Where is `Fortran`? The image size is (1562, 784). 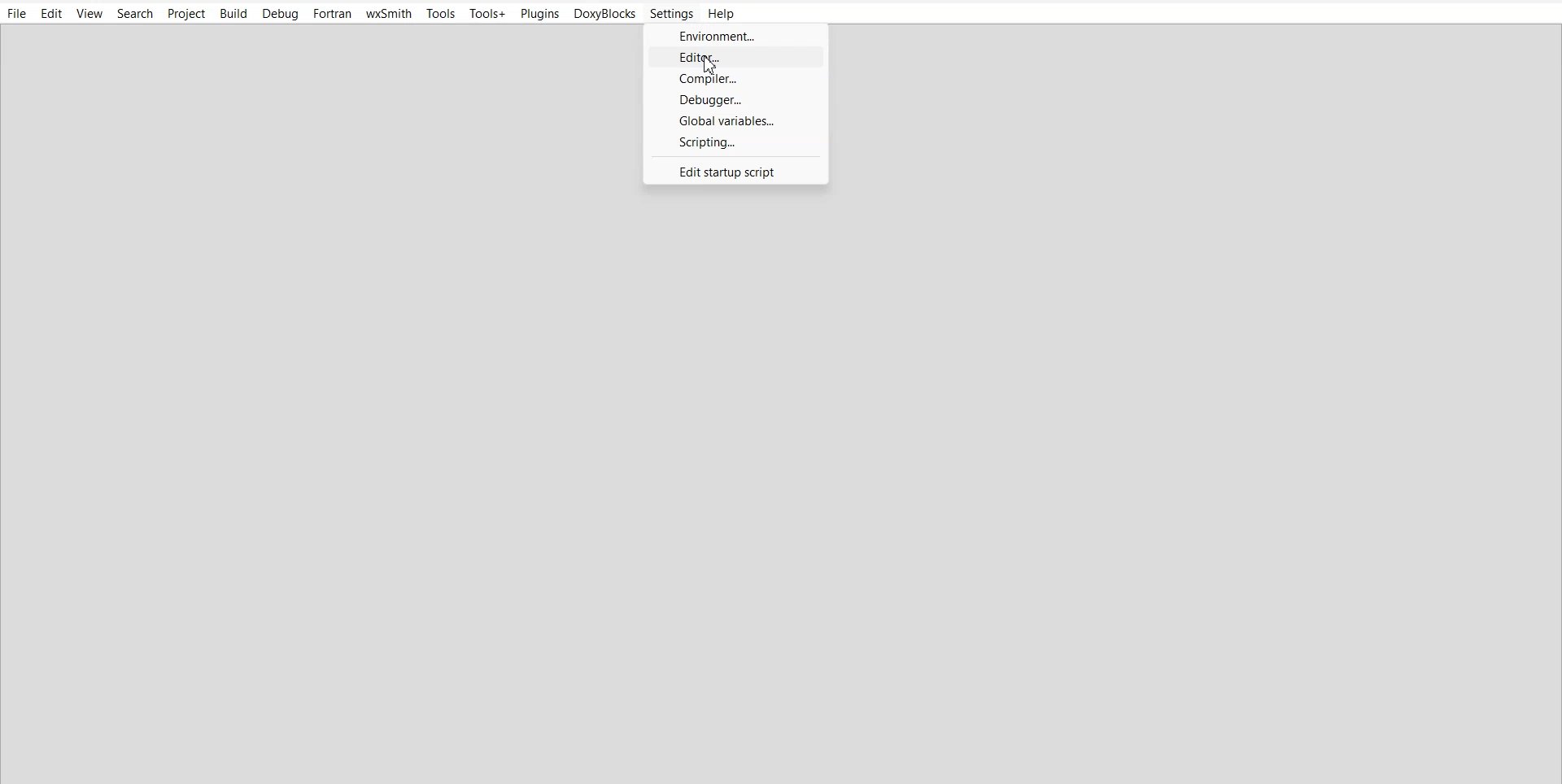 Fortran is located at coordinates (331, 14).